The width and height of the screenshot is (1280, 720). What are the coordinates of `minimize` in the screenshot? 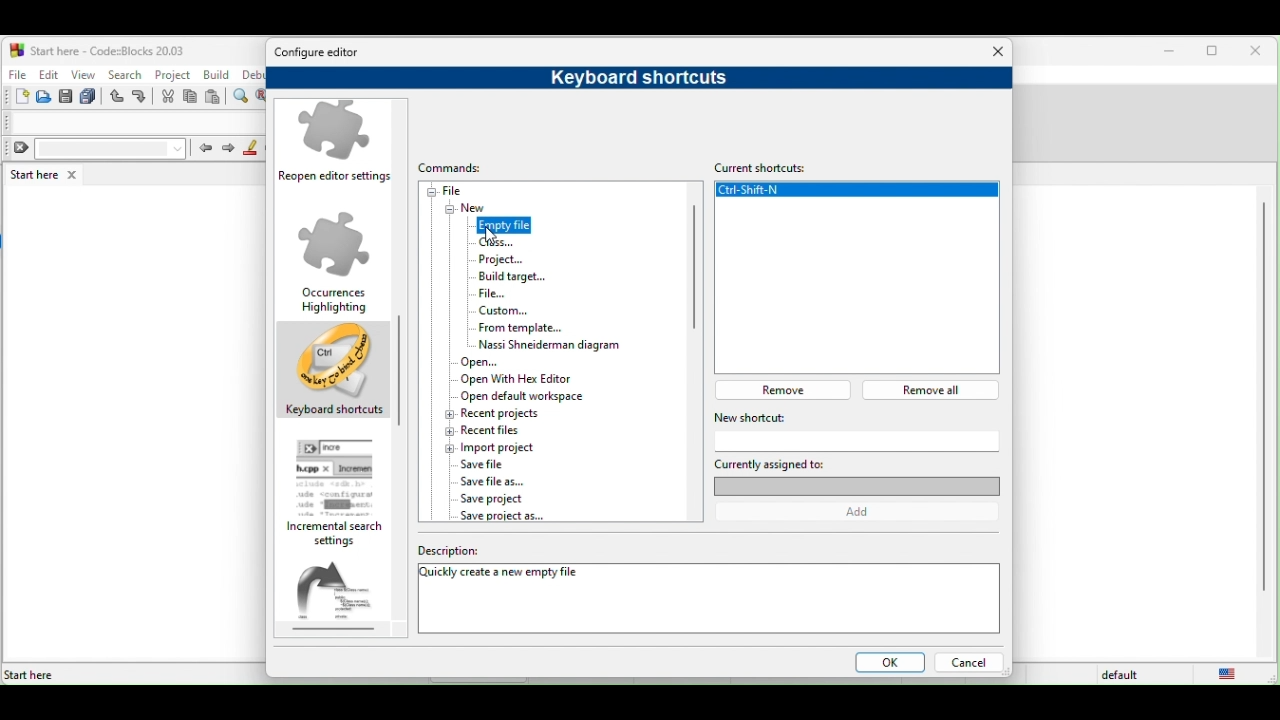 It's located at (1170, 52).